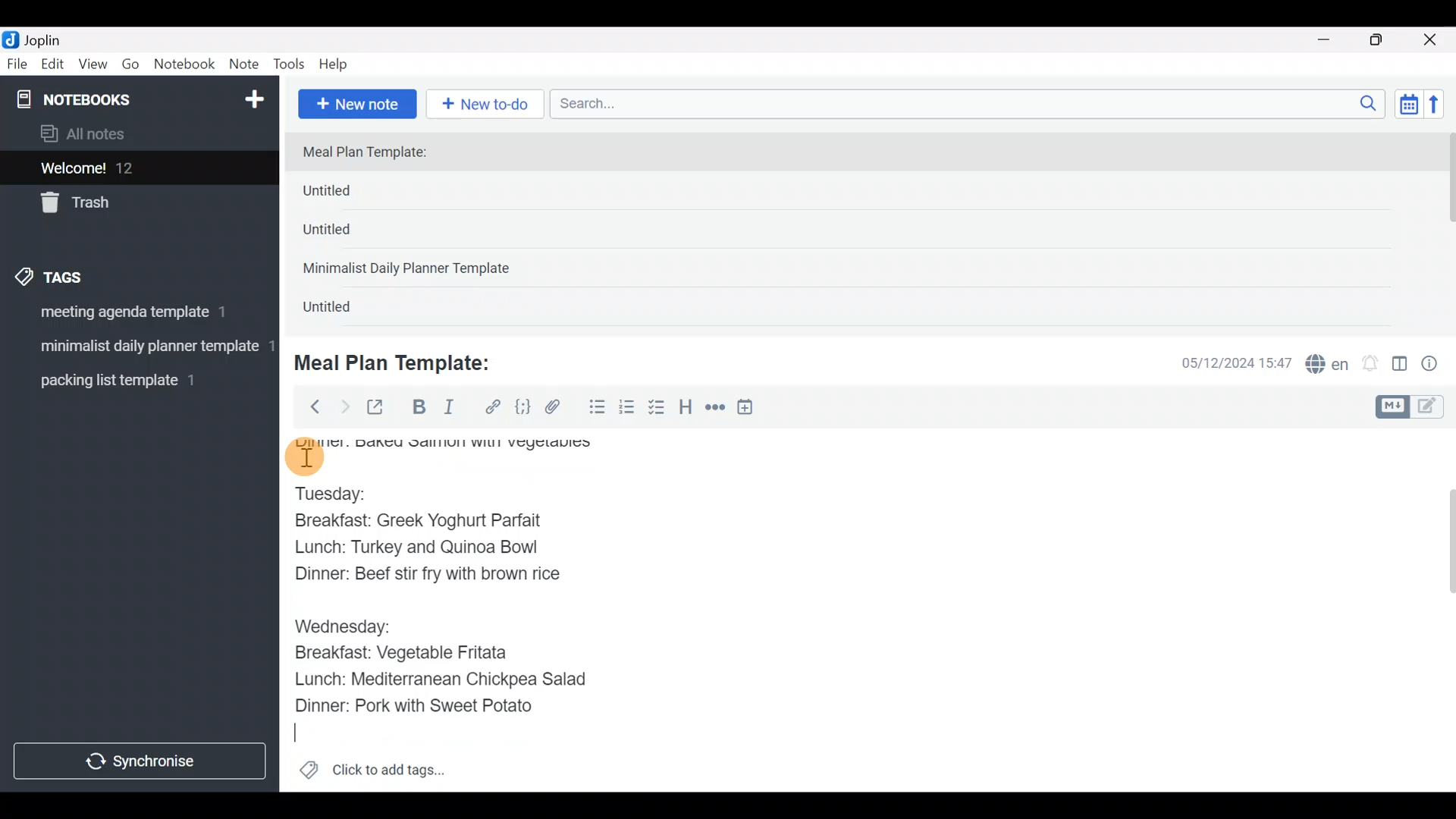  What do you see at coordinates (1442, 108) in the screenshot?
I see `Reverse sort` at bounding box center [1442, 108].